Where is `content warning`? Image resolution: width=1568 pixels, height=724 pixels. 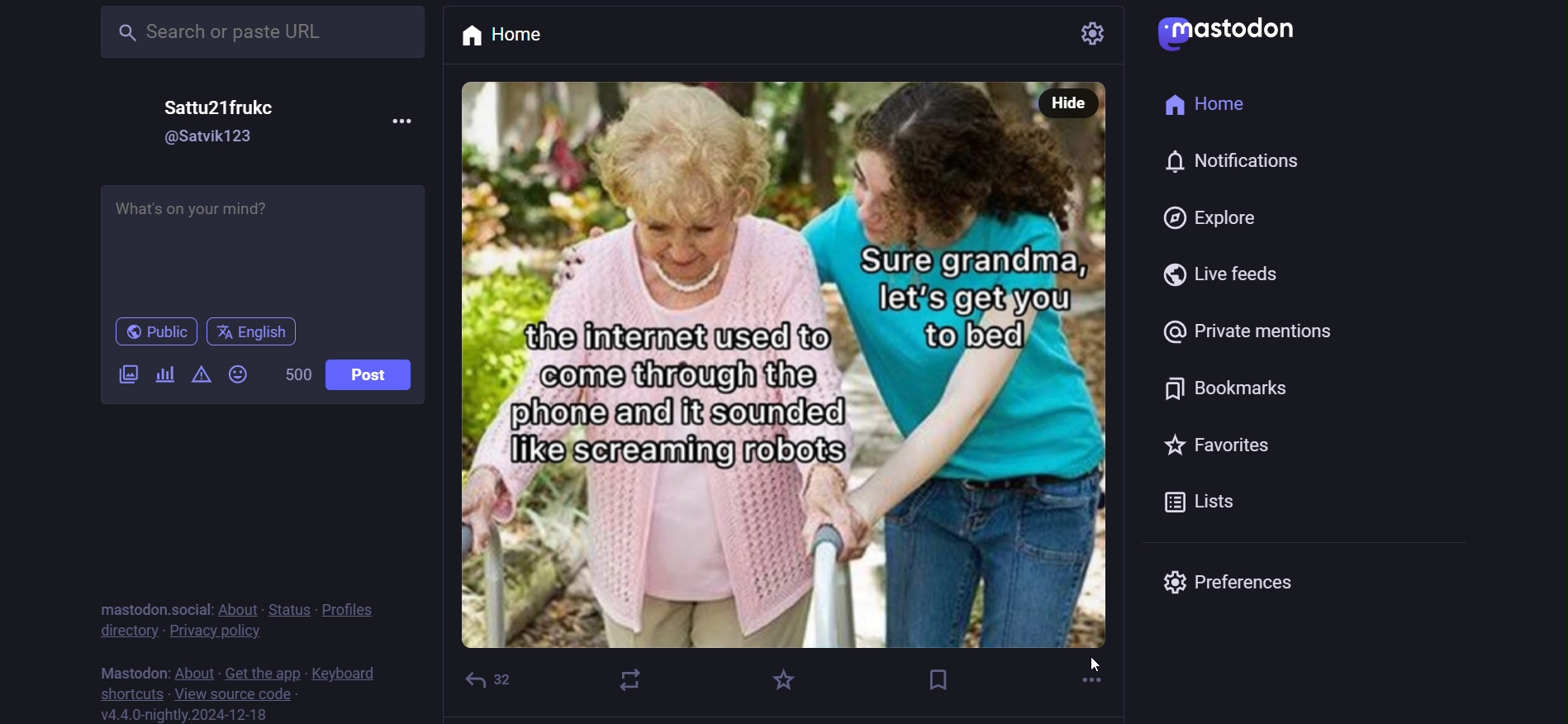
content warning is located at coordinates (204, 374).